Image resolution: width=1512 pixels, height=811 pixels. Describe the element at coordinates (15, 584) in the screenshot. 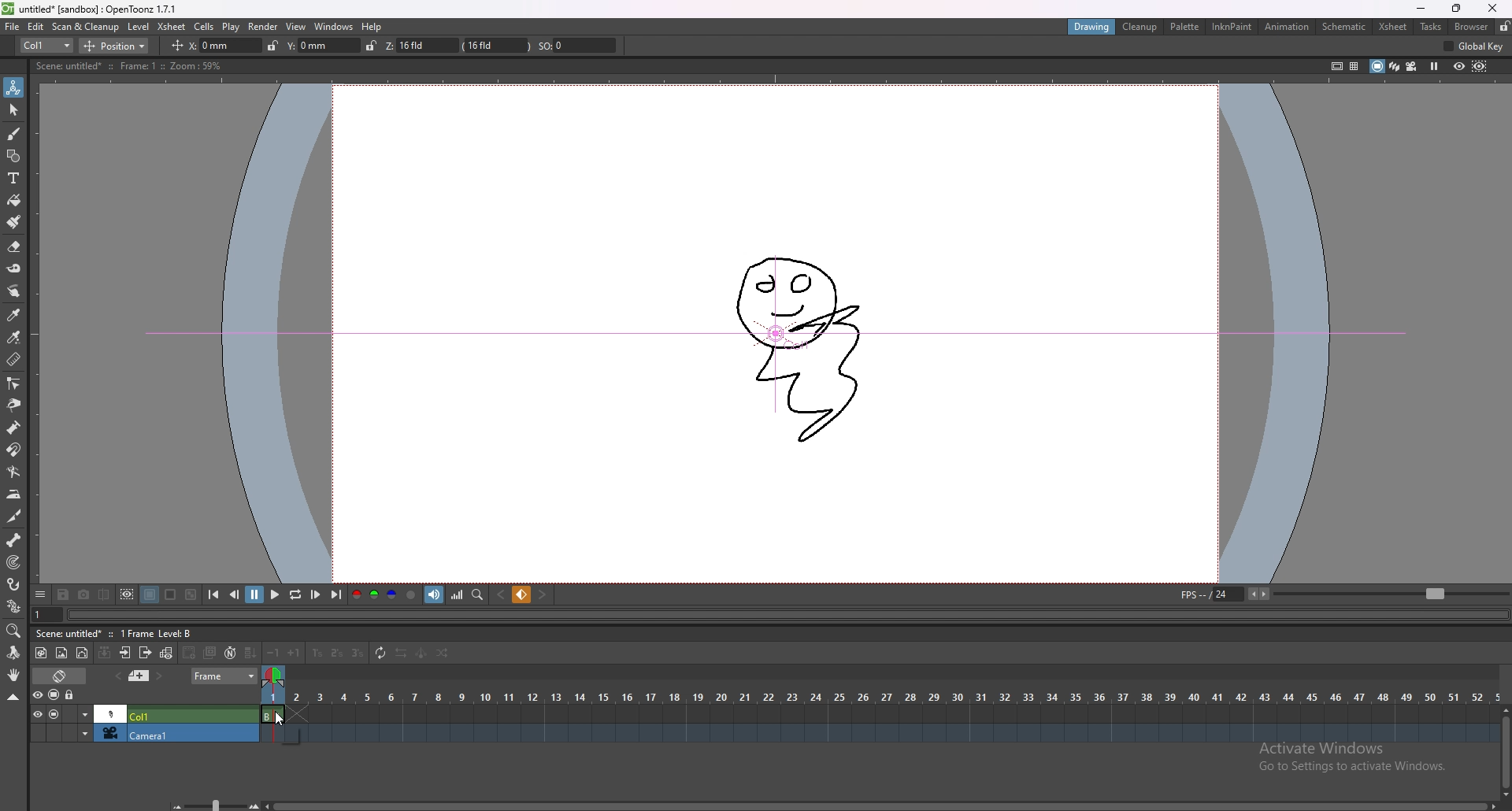

I see `hook` at that location.